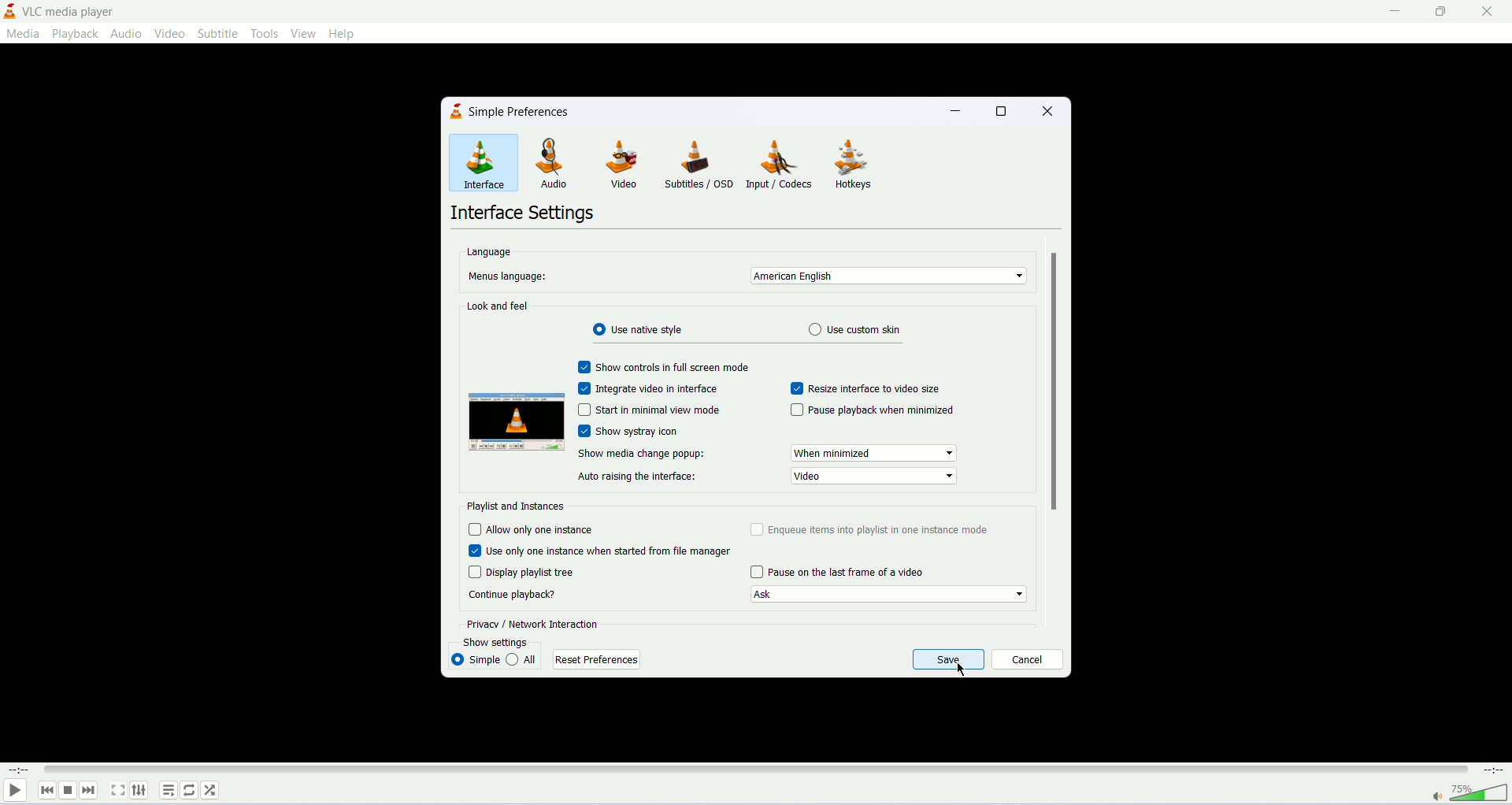 The height and width of the screenshot is (805, 1512). What do you see at coordinates (498, 306) in the screenshot?
I see `Look and feel` at bounding box center [498, 306].